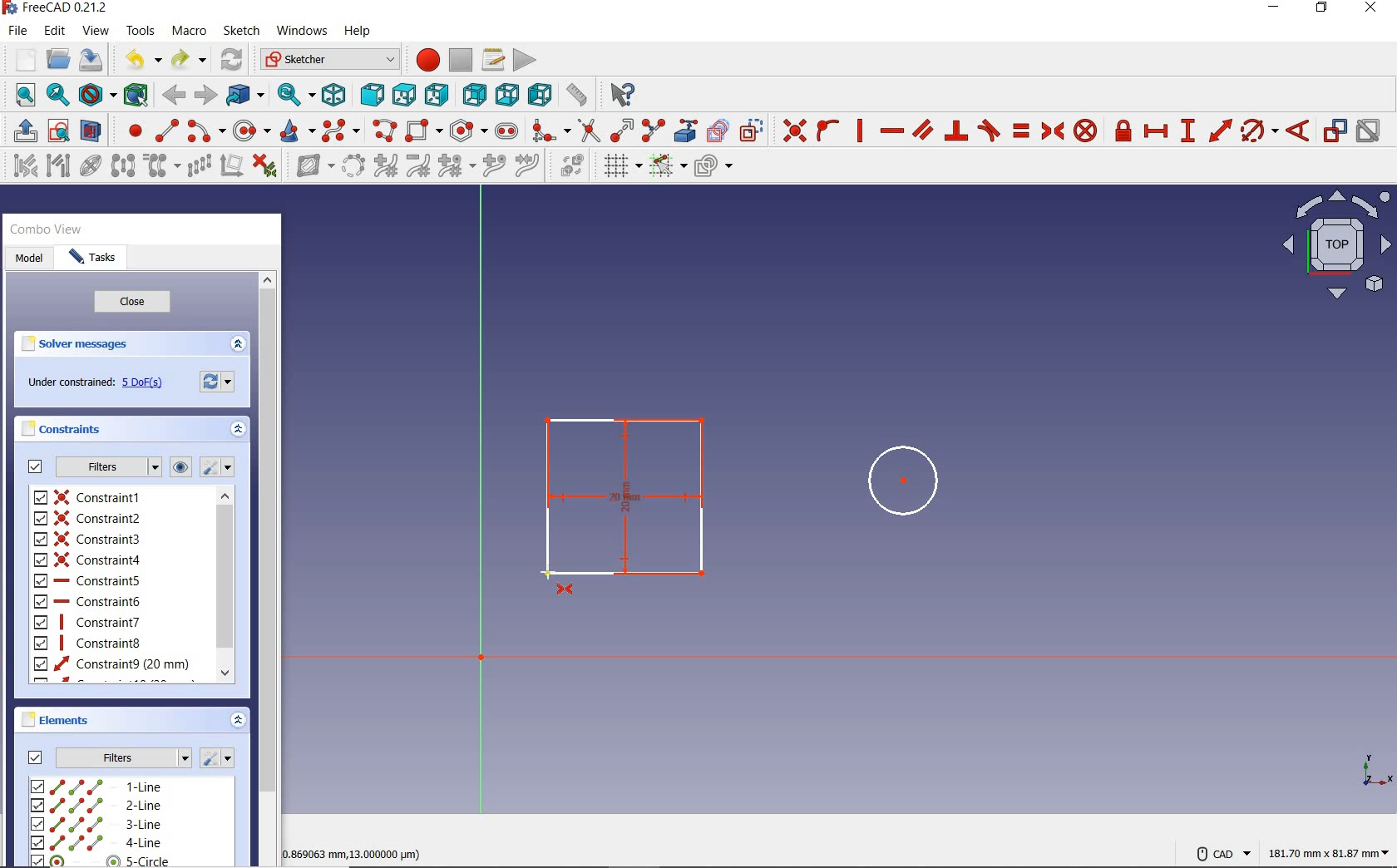 This screenshot has height=868, width=1397. Describe the element at coordinates (861, 132) in the screenshot. I see `constrain vertically` at that location.